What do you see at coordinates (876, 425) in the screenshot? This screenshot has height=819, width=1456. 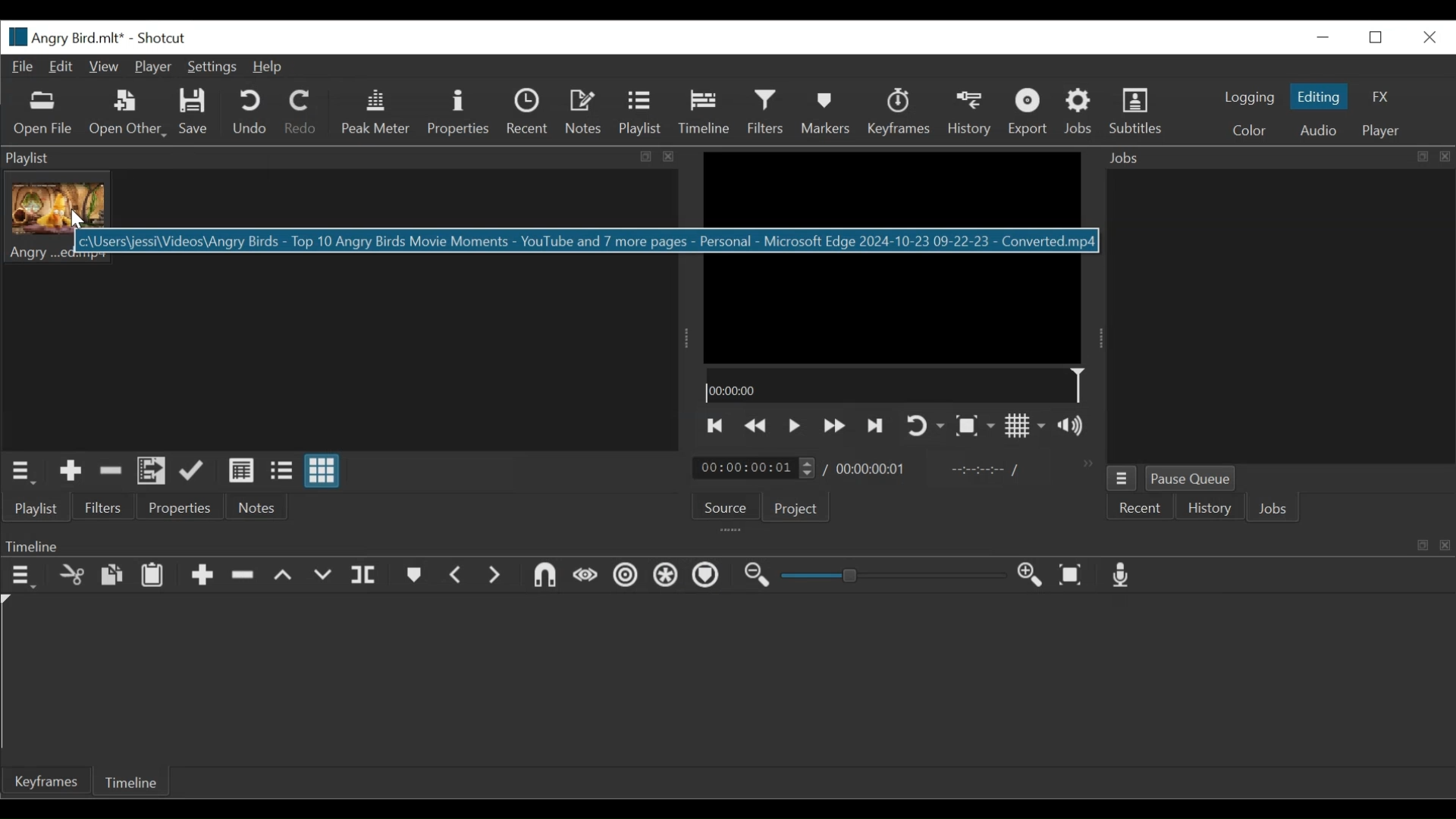 I see `Skip to the next point` at bounding box center [876, 425].